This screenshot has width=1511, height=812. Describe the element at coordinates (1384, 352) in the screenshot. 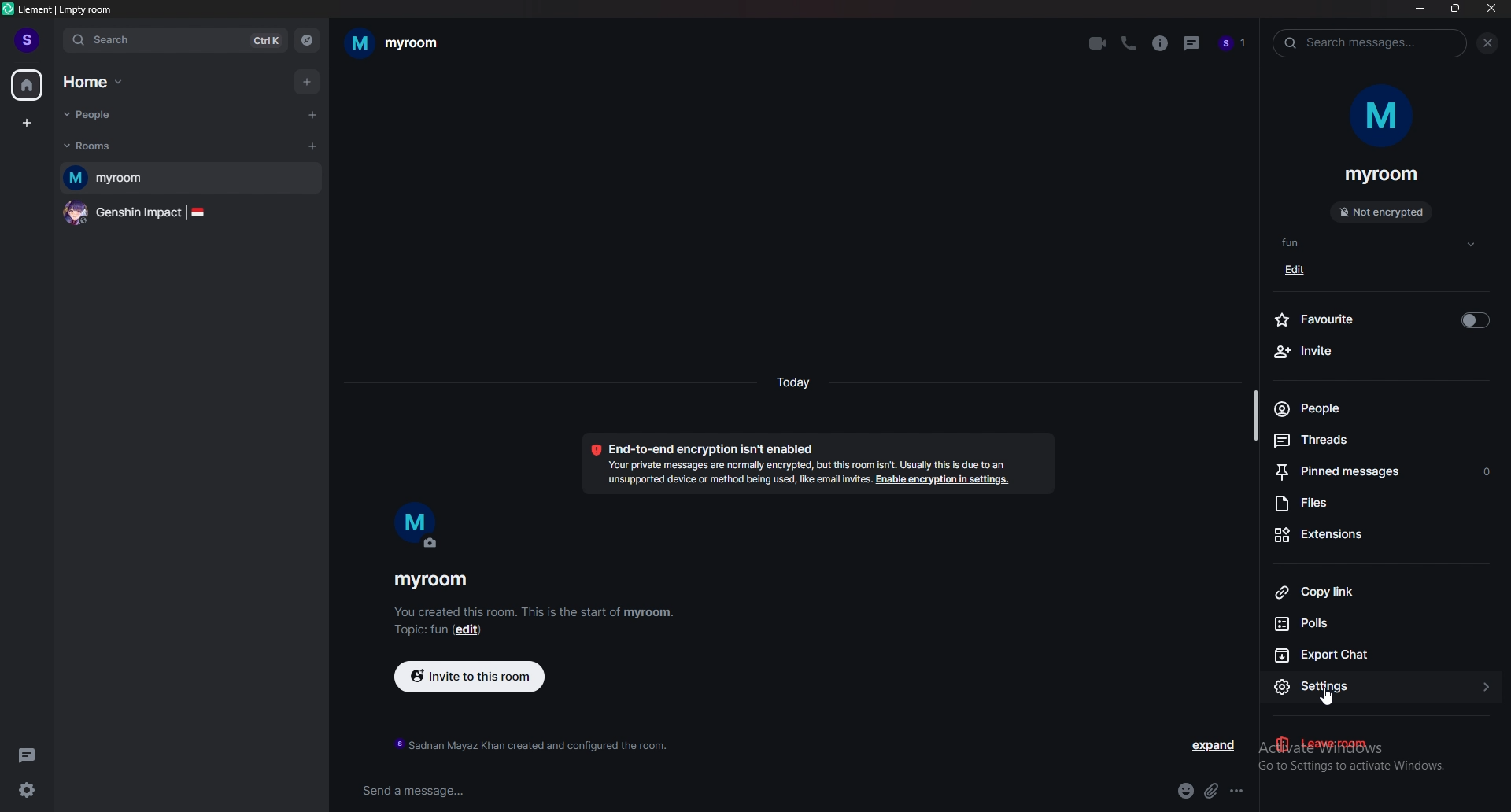

I see `invite` at that location.